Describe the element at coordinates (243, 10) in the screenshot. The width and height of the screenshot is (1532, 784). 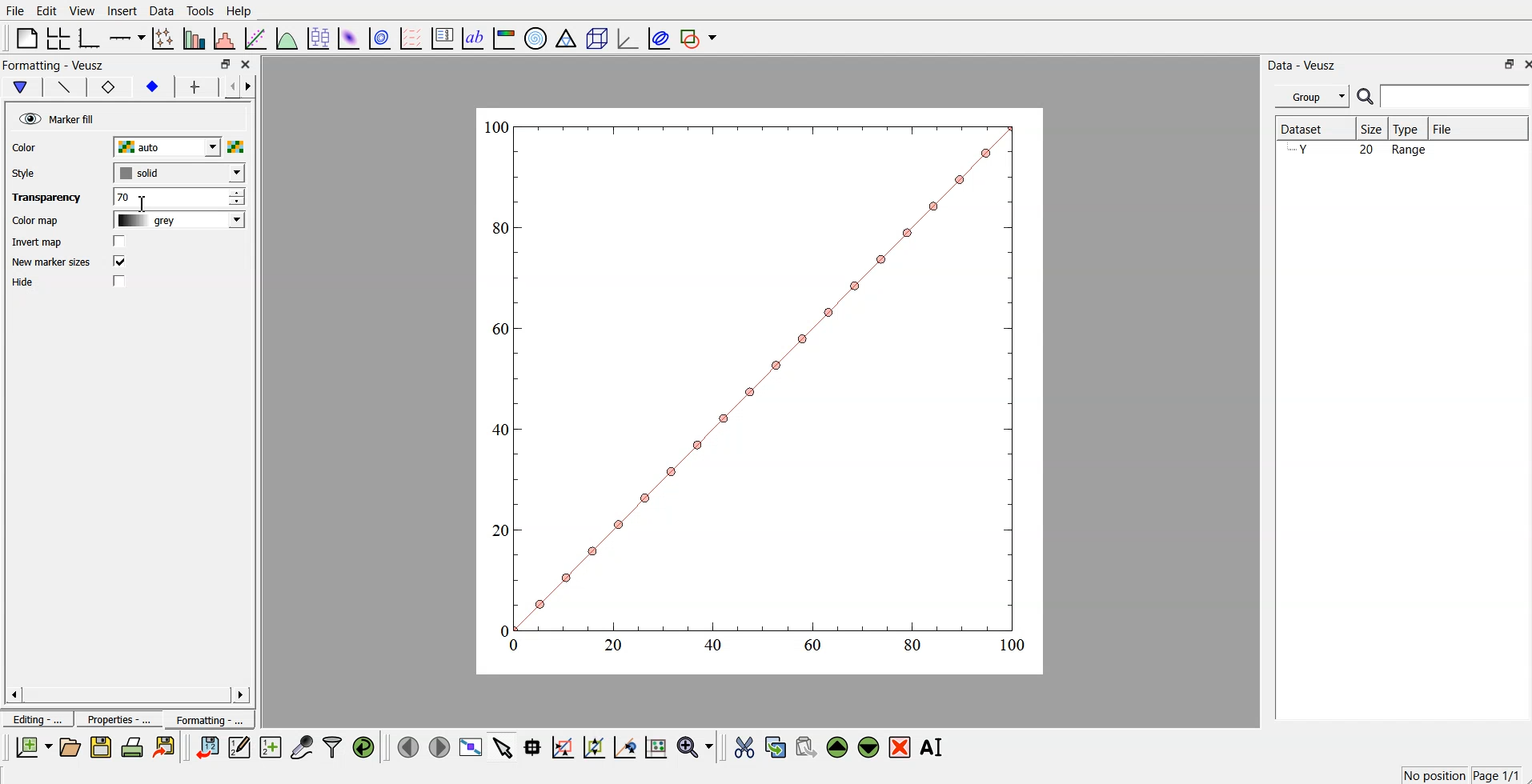
I see `Help` at that location.